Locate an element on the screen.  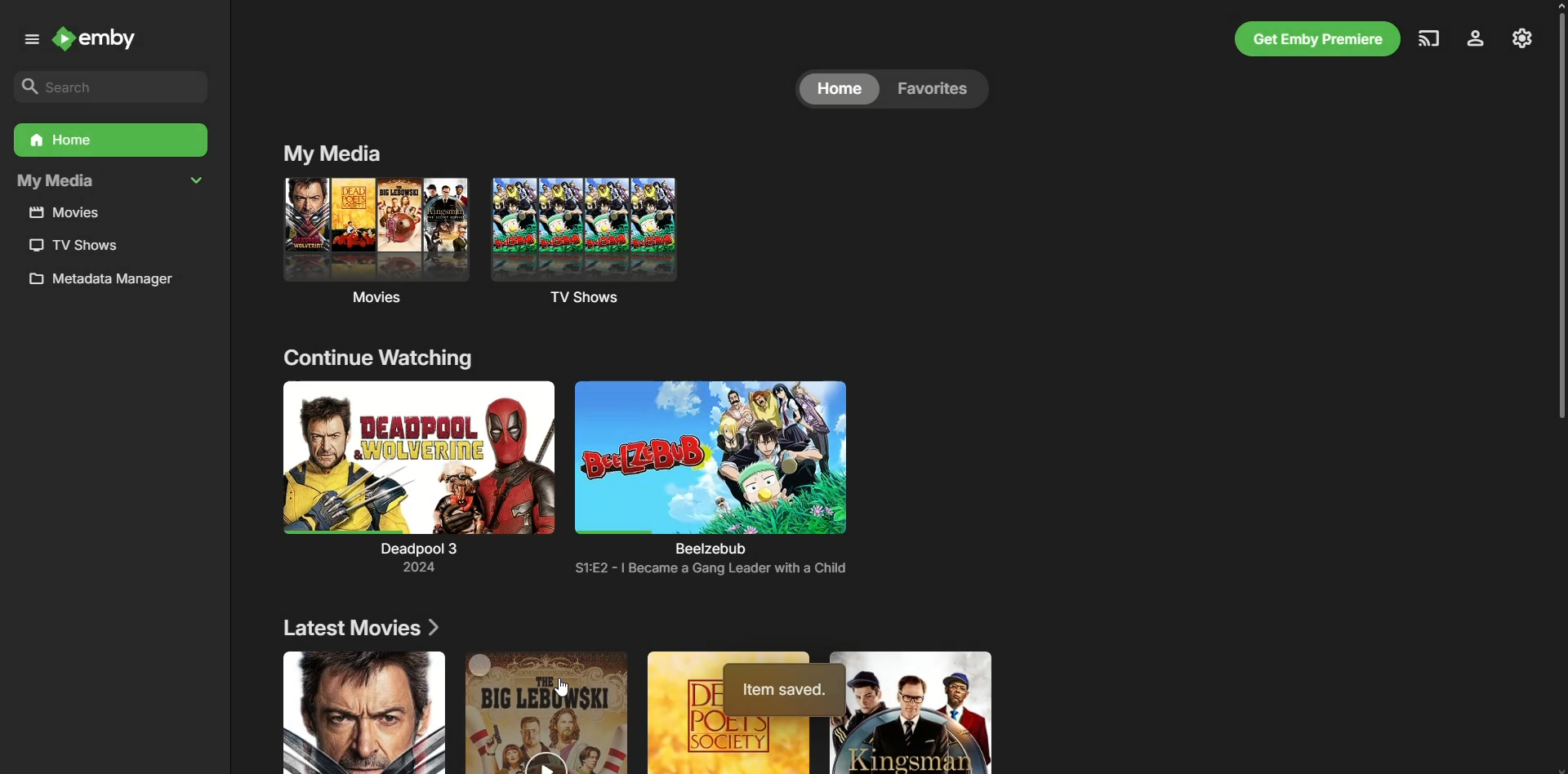
My Media is located at coordinates (110, 182).